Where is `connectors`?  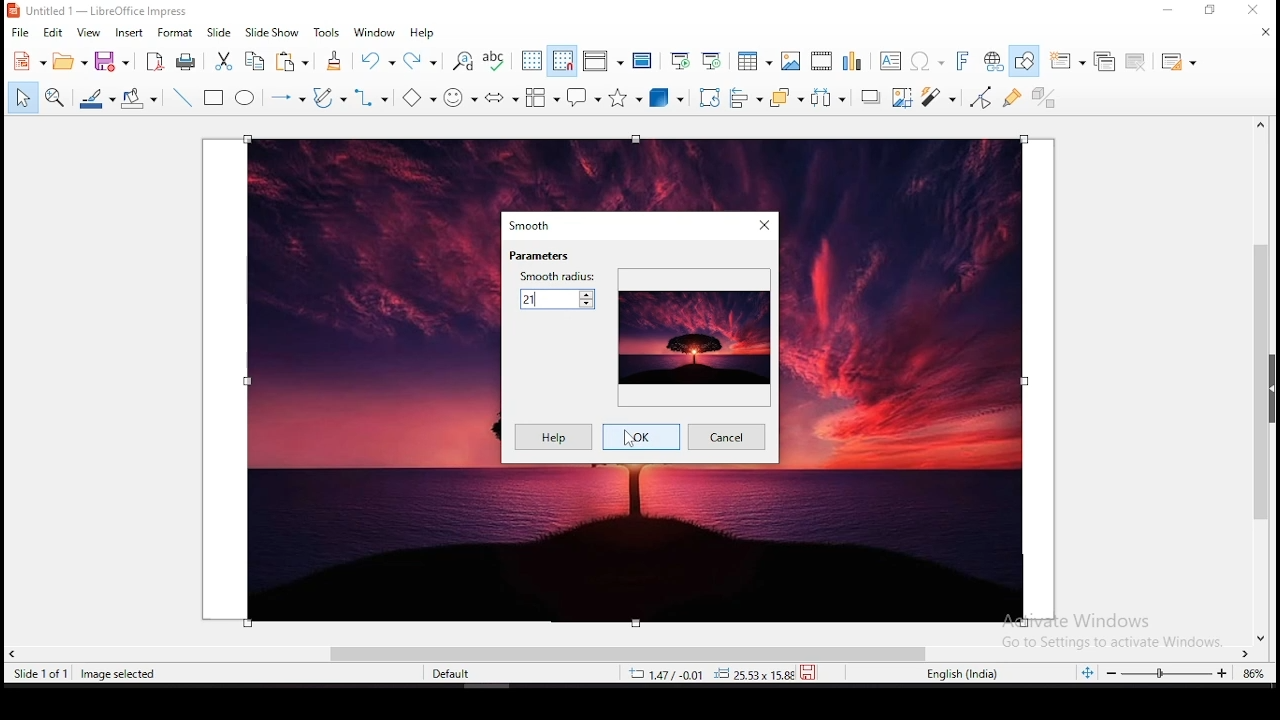 connectors is located at coordinates (372, 99).